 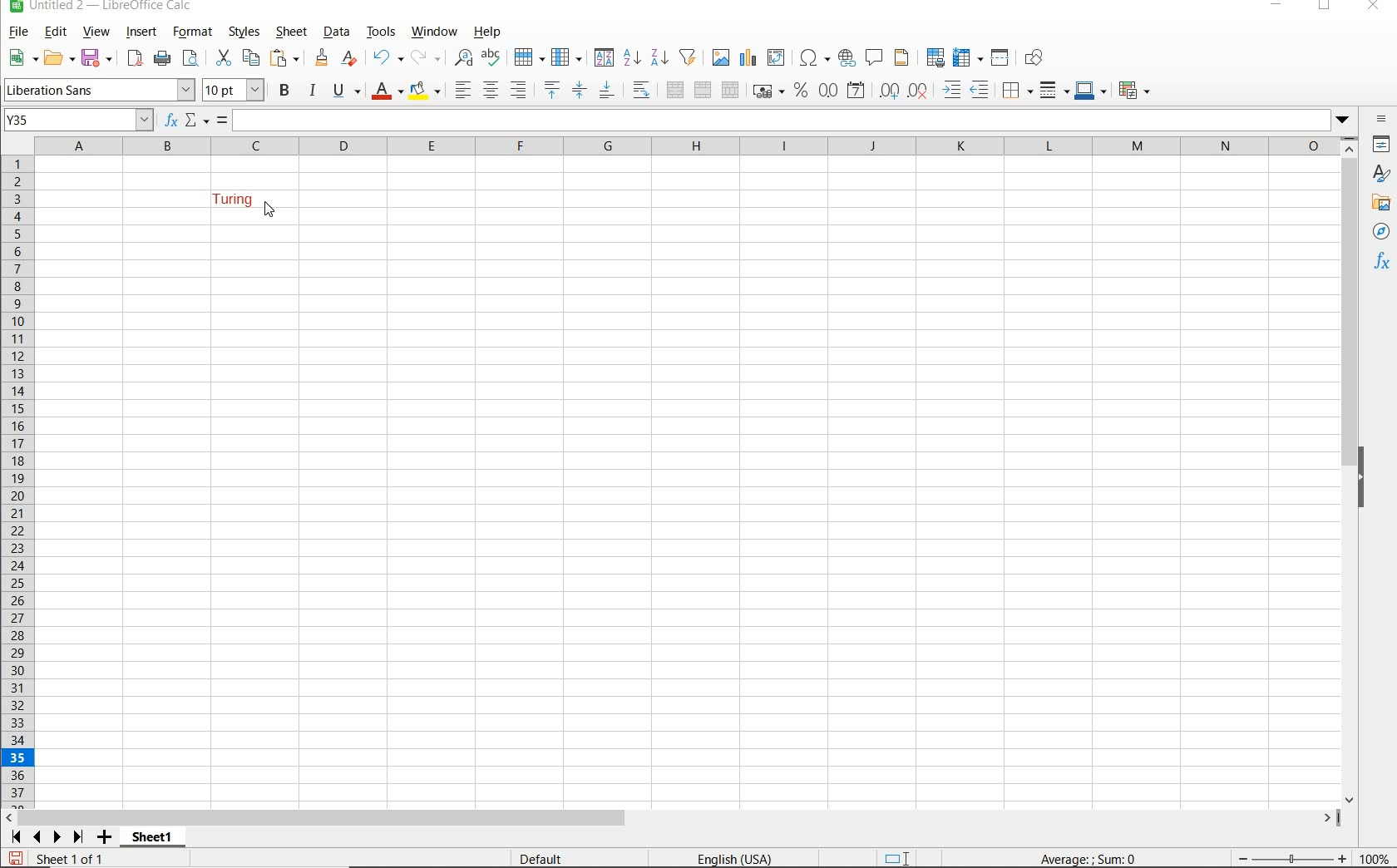 I want to click on AUTOFILTER, so click(x=688, y=58).